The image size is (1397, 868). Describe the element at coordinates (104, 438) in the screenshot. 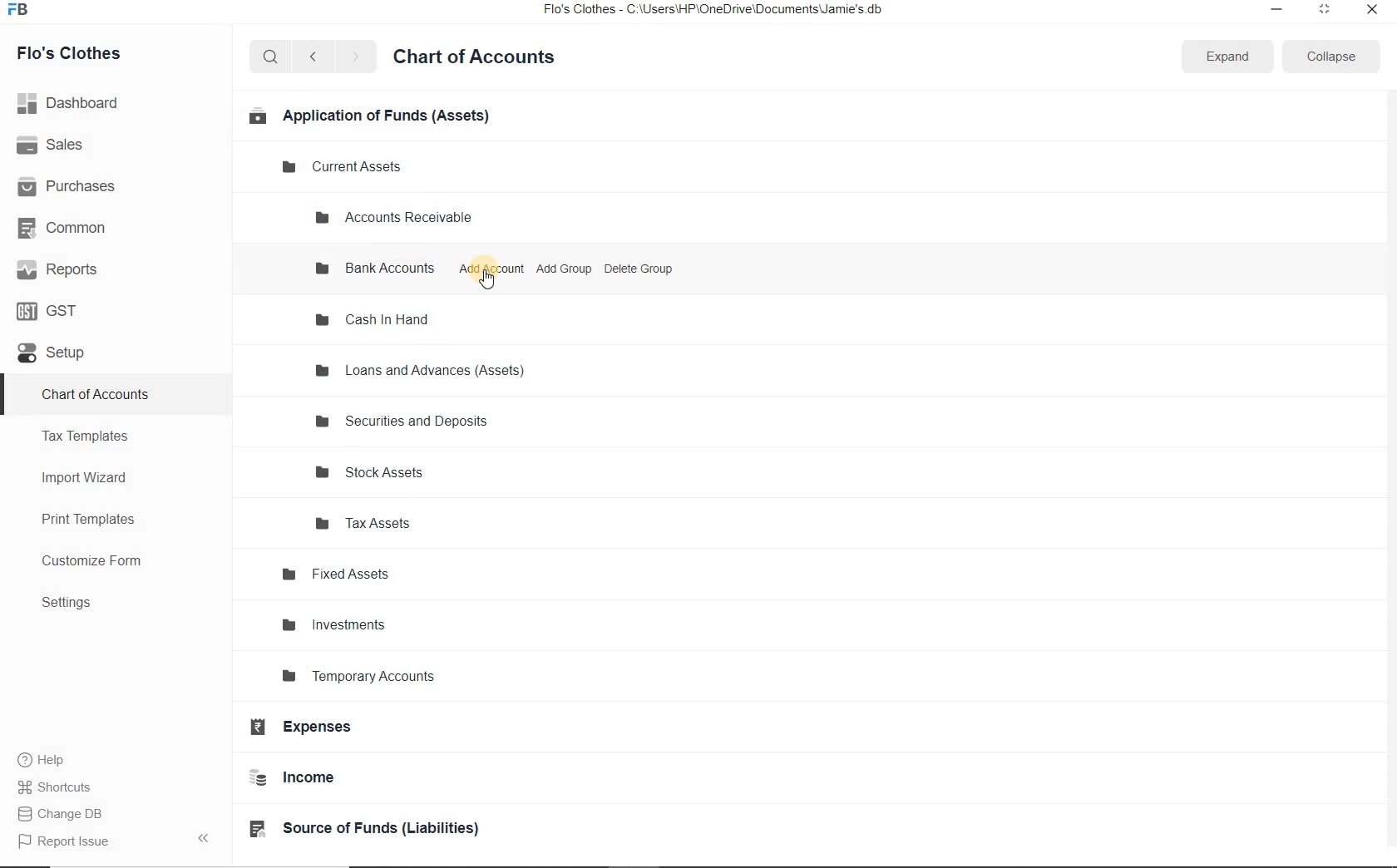

I see `Tax Templates` at that location.